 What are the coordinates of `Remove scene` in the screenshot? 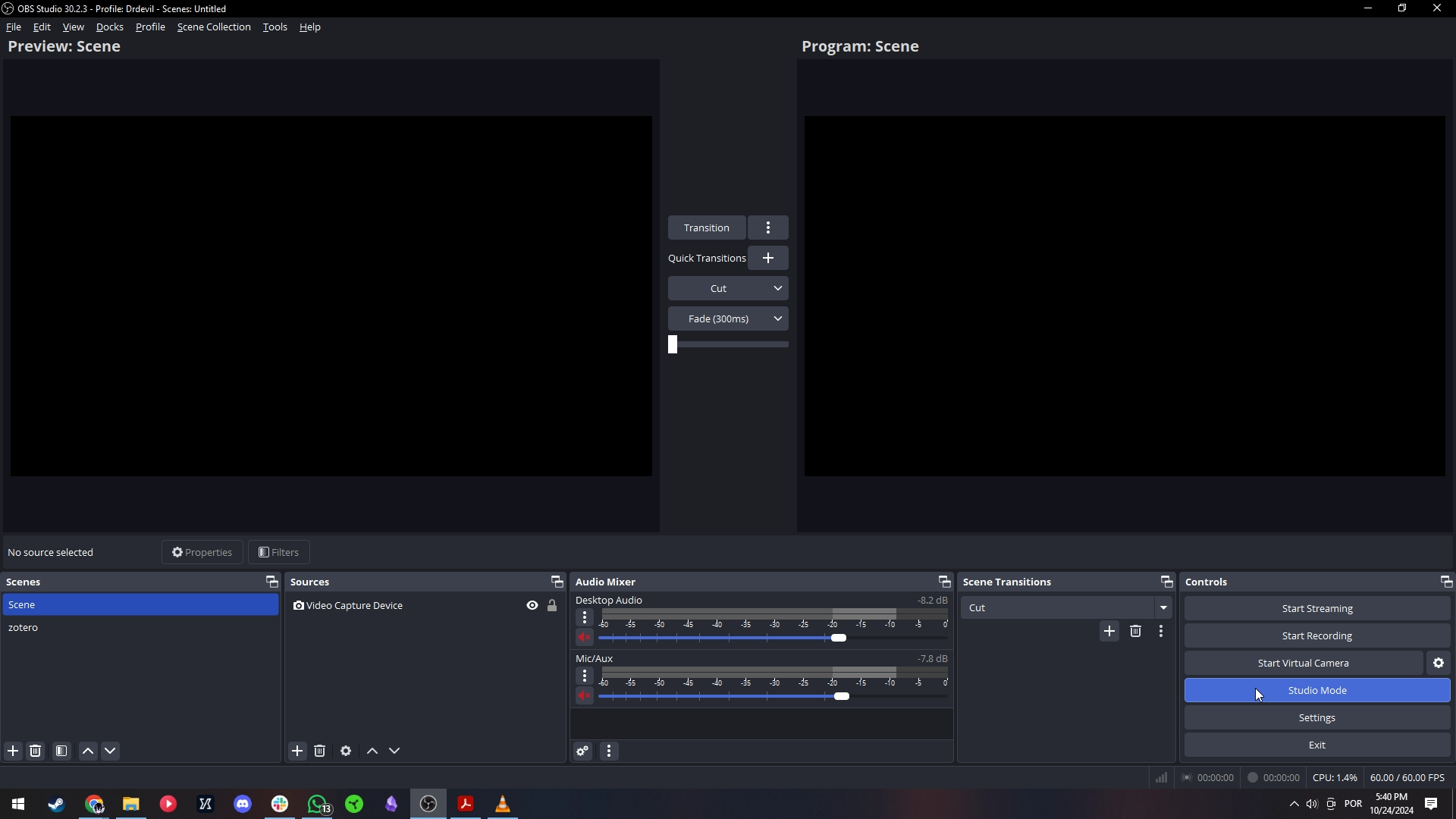 It's located at (36, 752).